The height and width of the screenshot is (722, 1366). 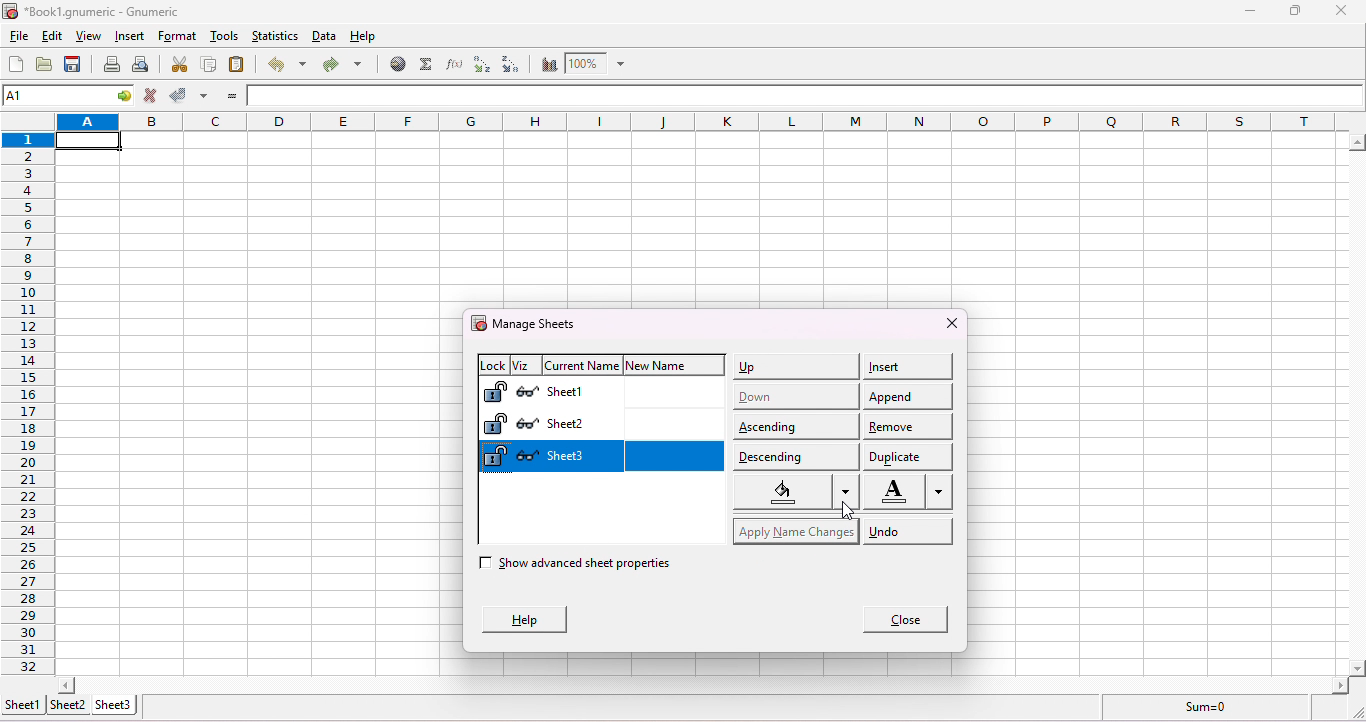 I want to click on undo, so click(x=906, y=531).